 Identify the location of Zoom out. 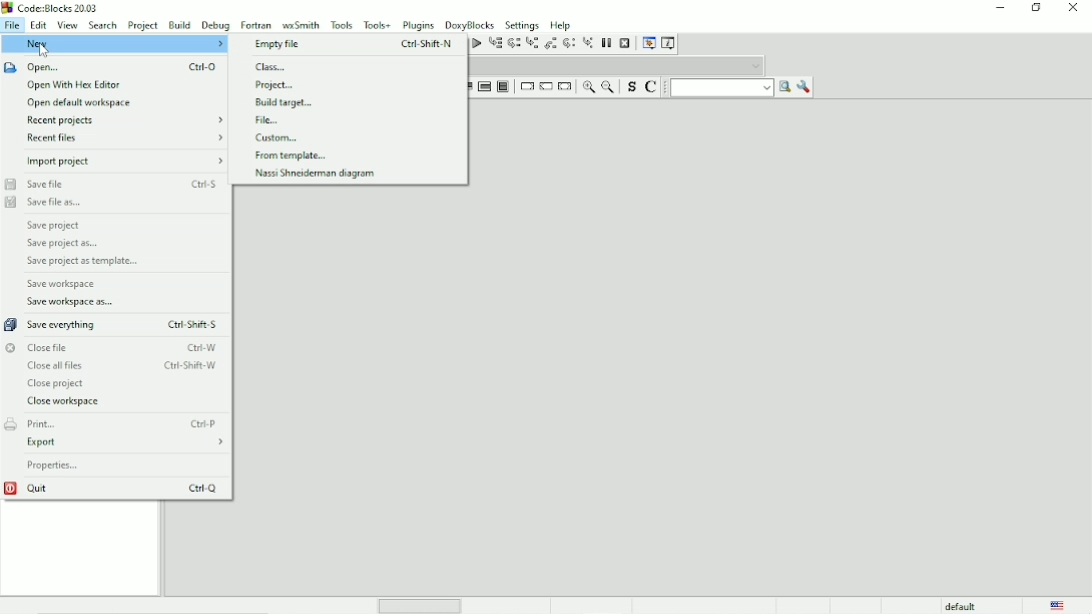
(607, 86).